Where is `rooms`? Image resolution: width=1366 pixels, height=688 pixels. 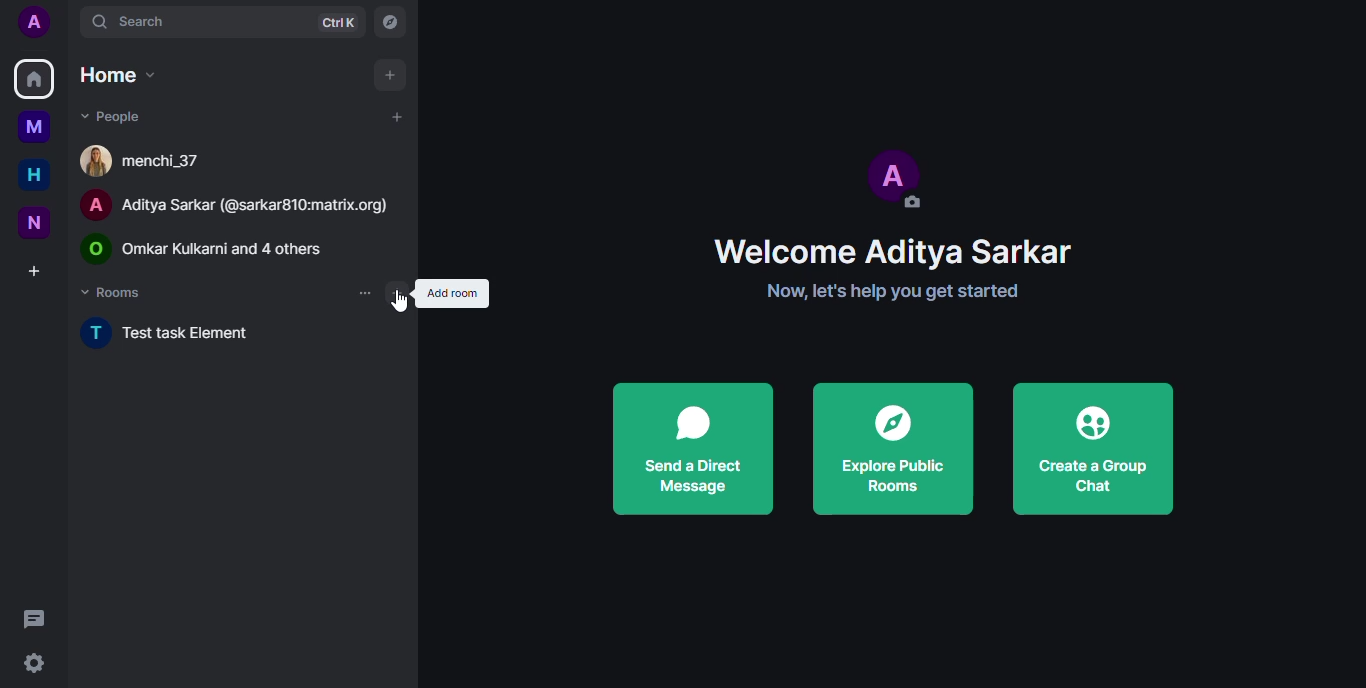
rooms is located at coordinates (115, 291).